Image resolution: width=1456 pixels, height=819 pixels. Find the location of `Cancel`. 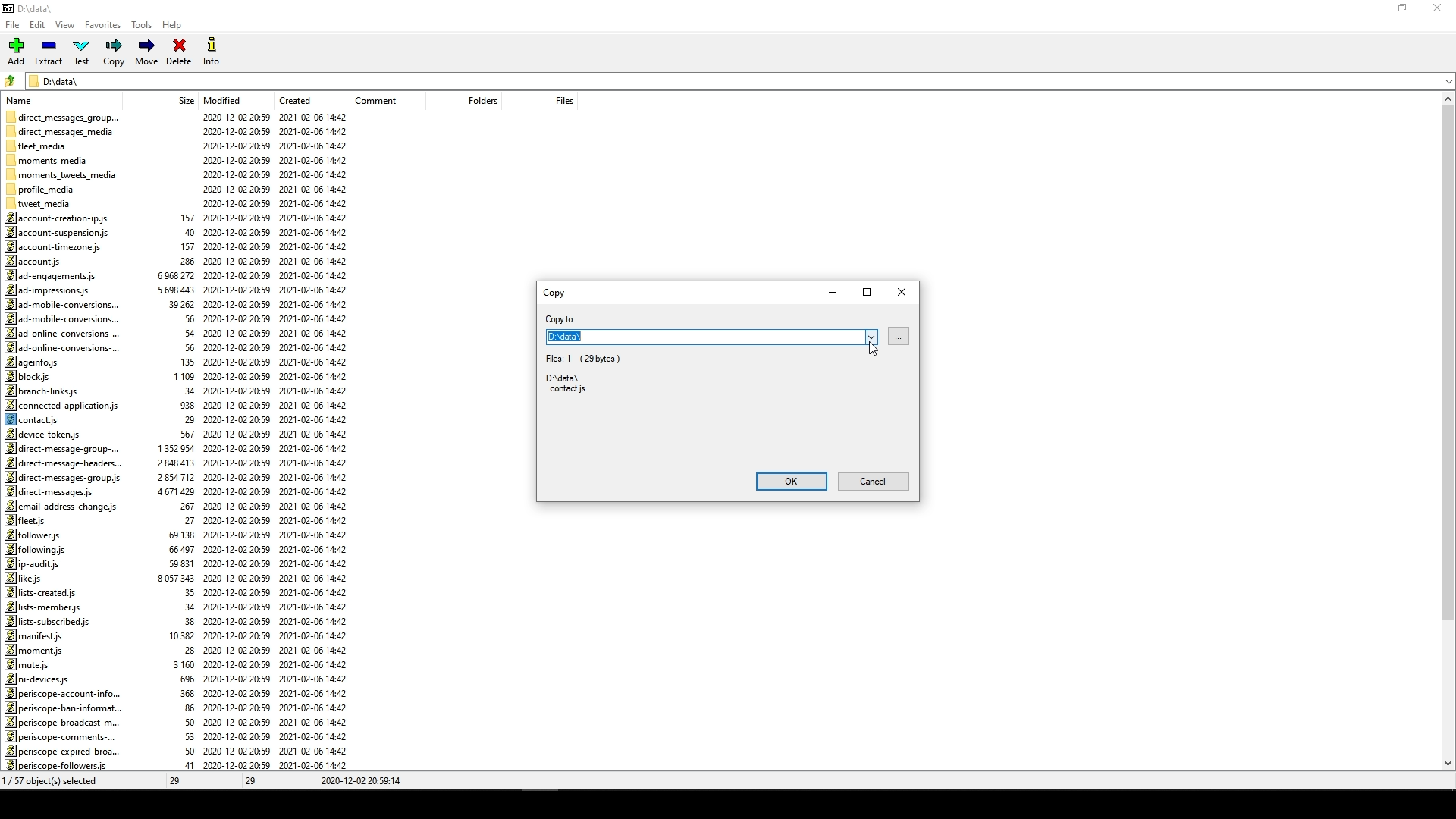

Cancel is located at coordinates (874, 482).